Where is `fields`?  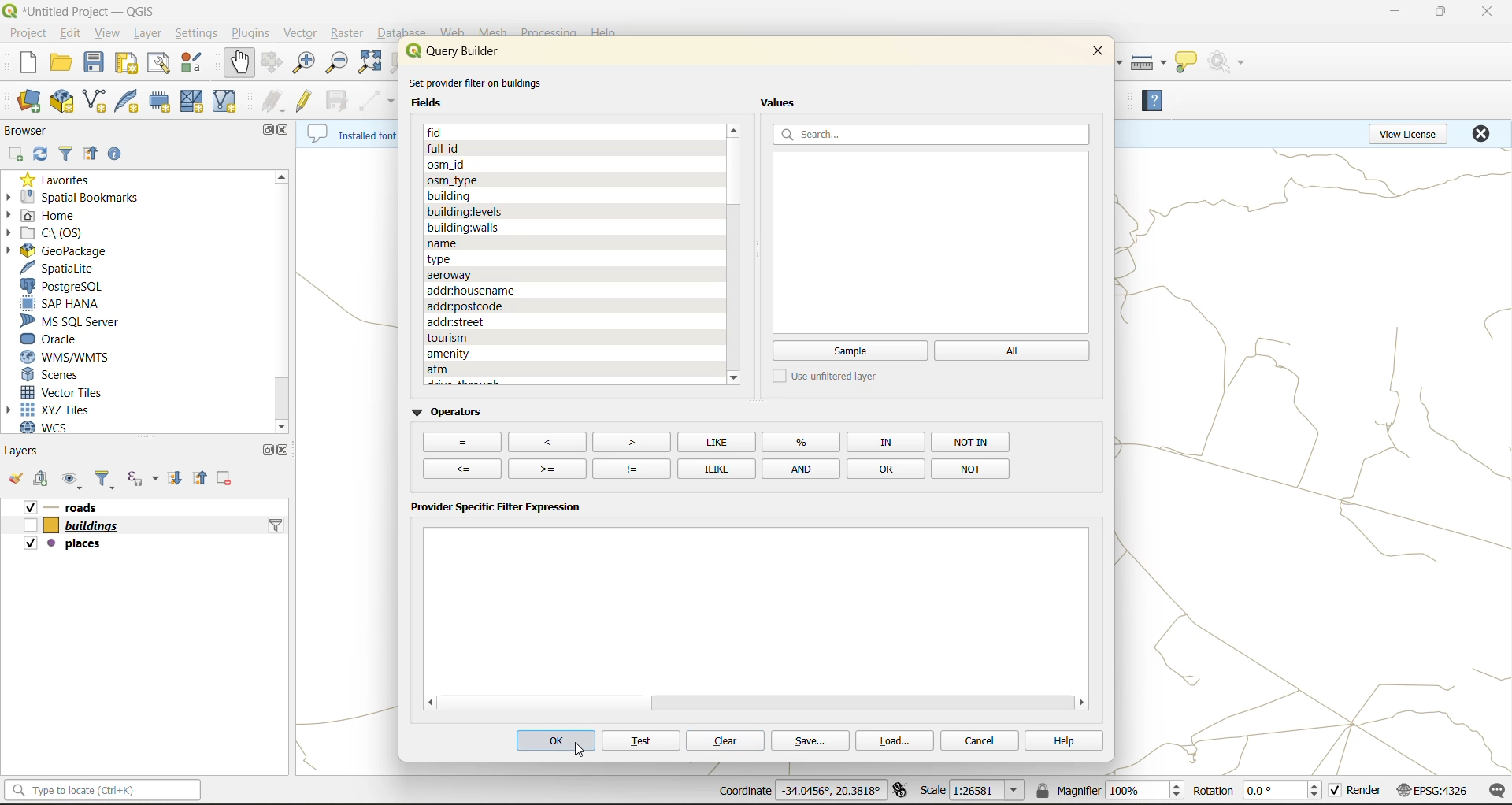 fields is located at coordinates (461, 322).